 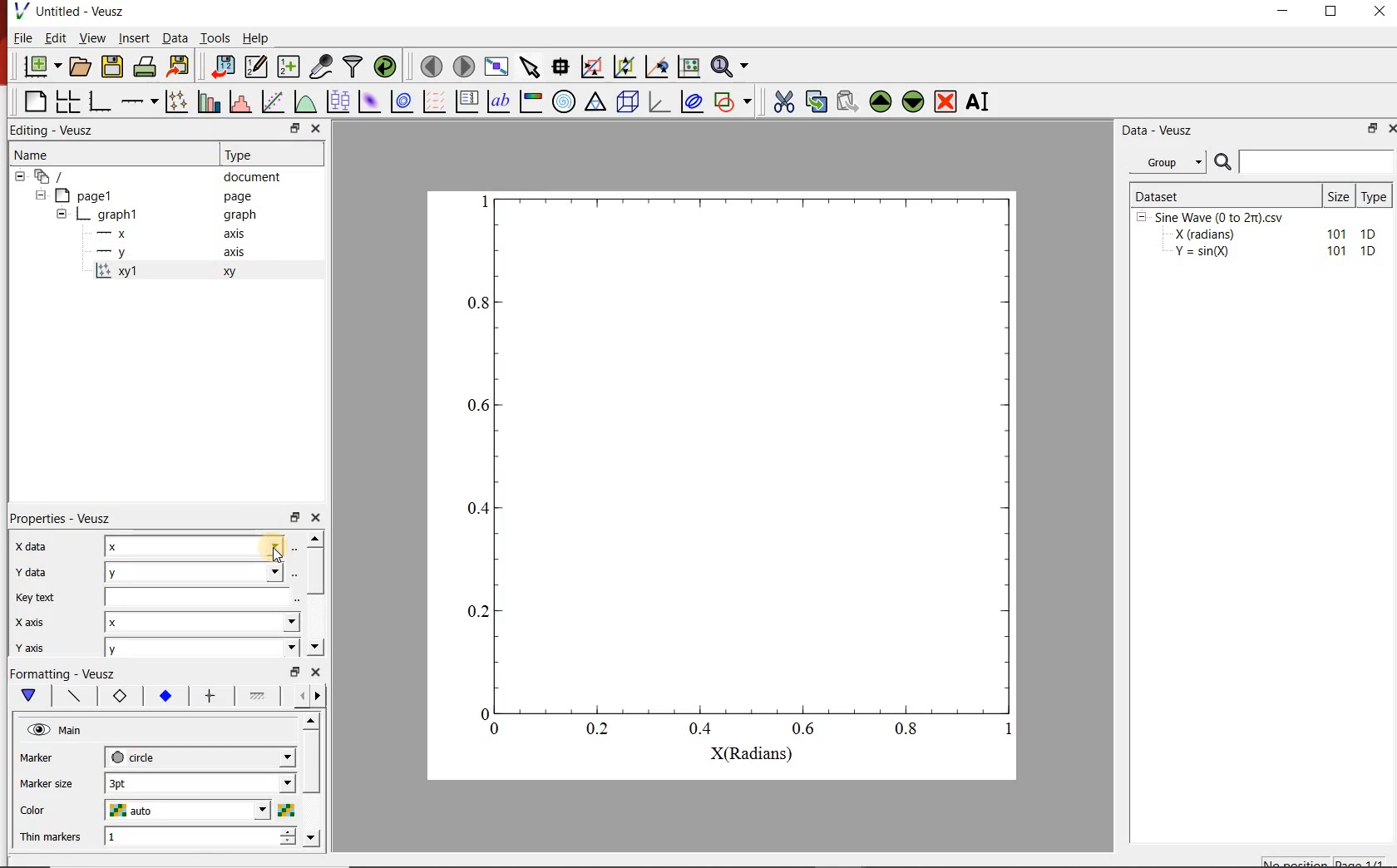 What do you see at coordinates (323, 67) in the screenshot?
I see `capture remote data` at bounding box center [323, 67].